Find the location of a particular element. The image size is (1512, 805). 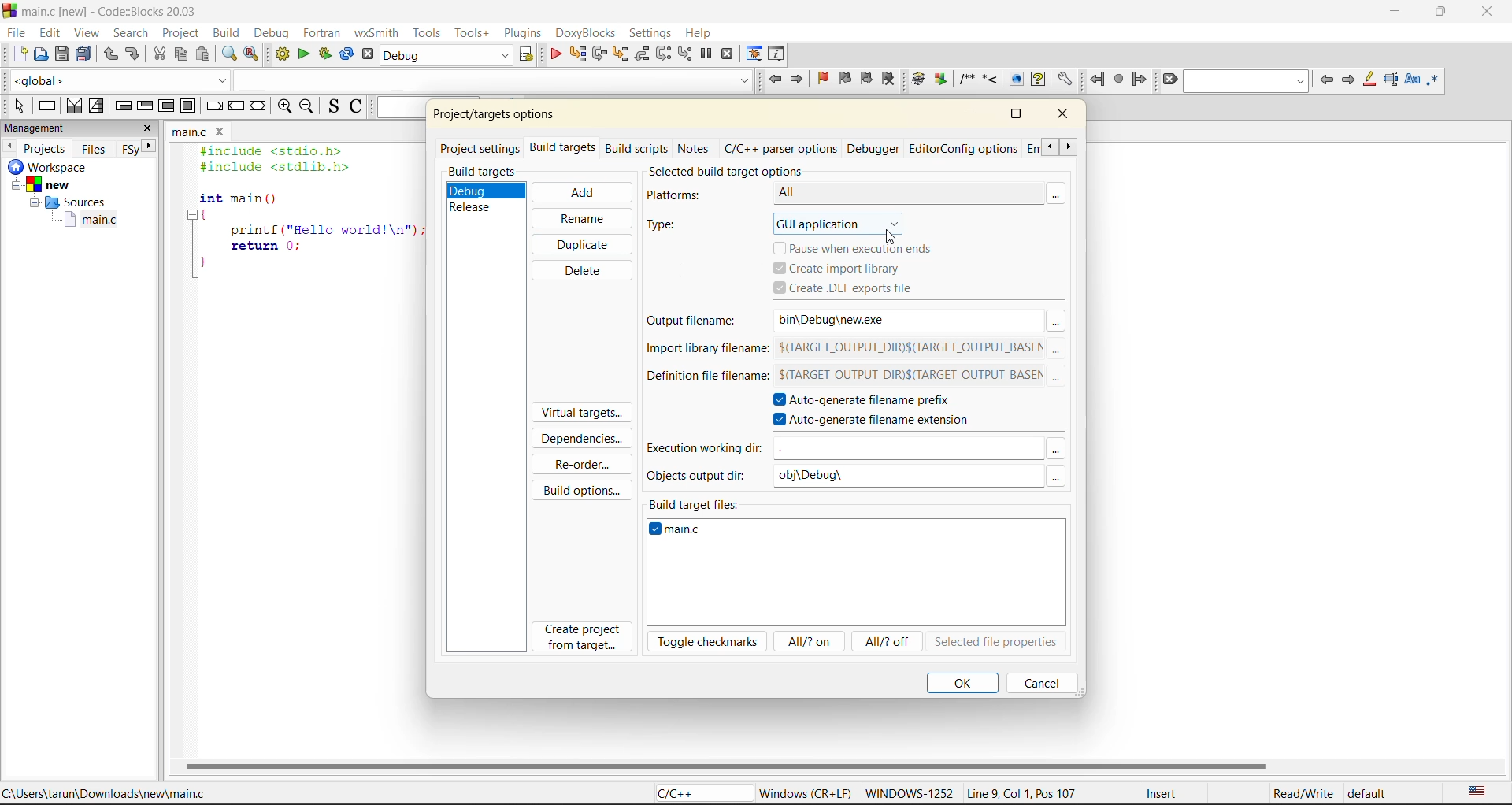

duplicate is located at coordinates (584, 243).